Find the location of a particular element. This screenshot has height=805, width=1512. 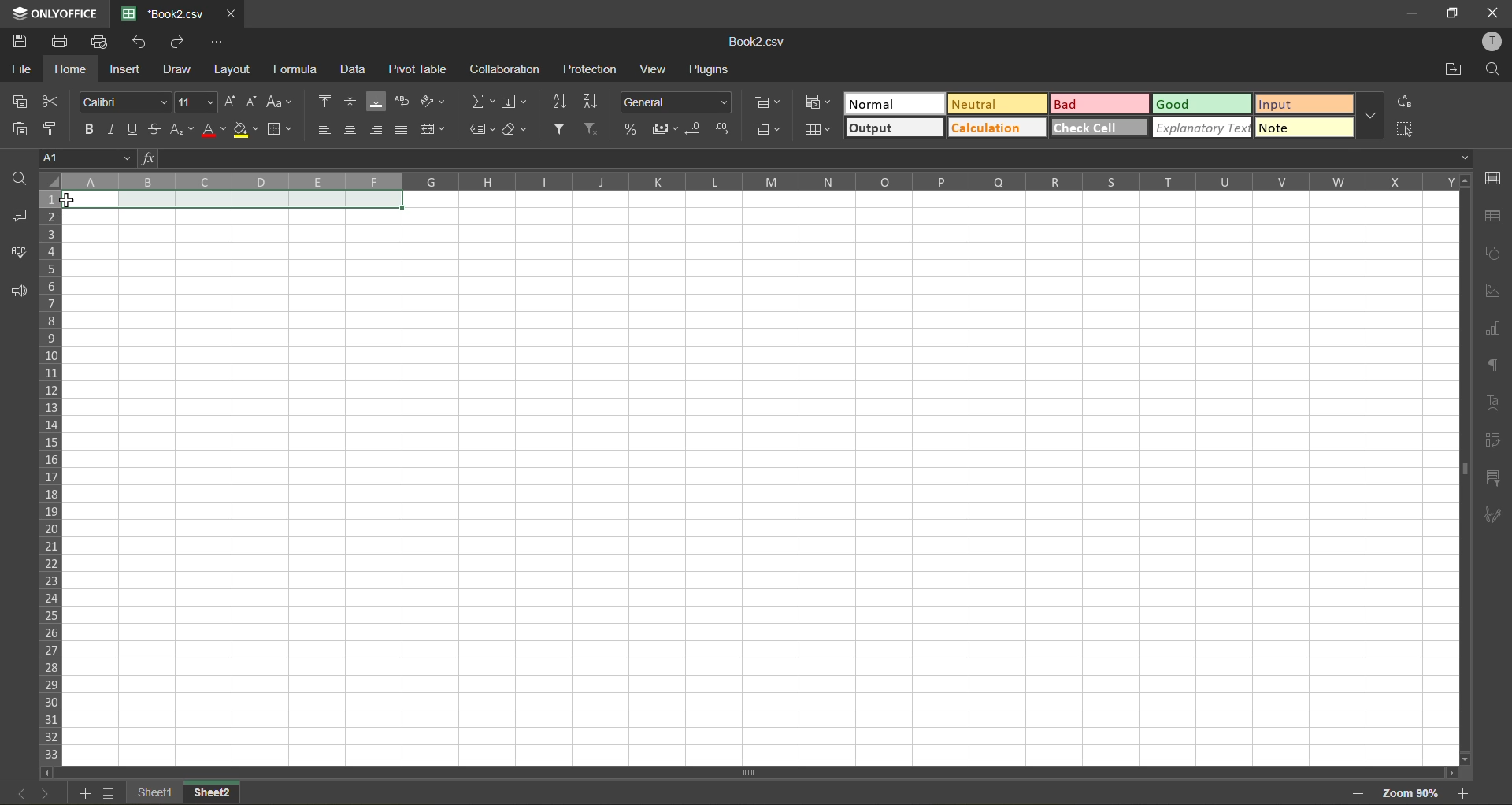

comments is located at coordinates (16, 213).